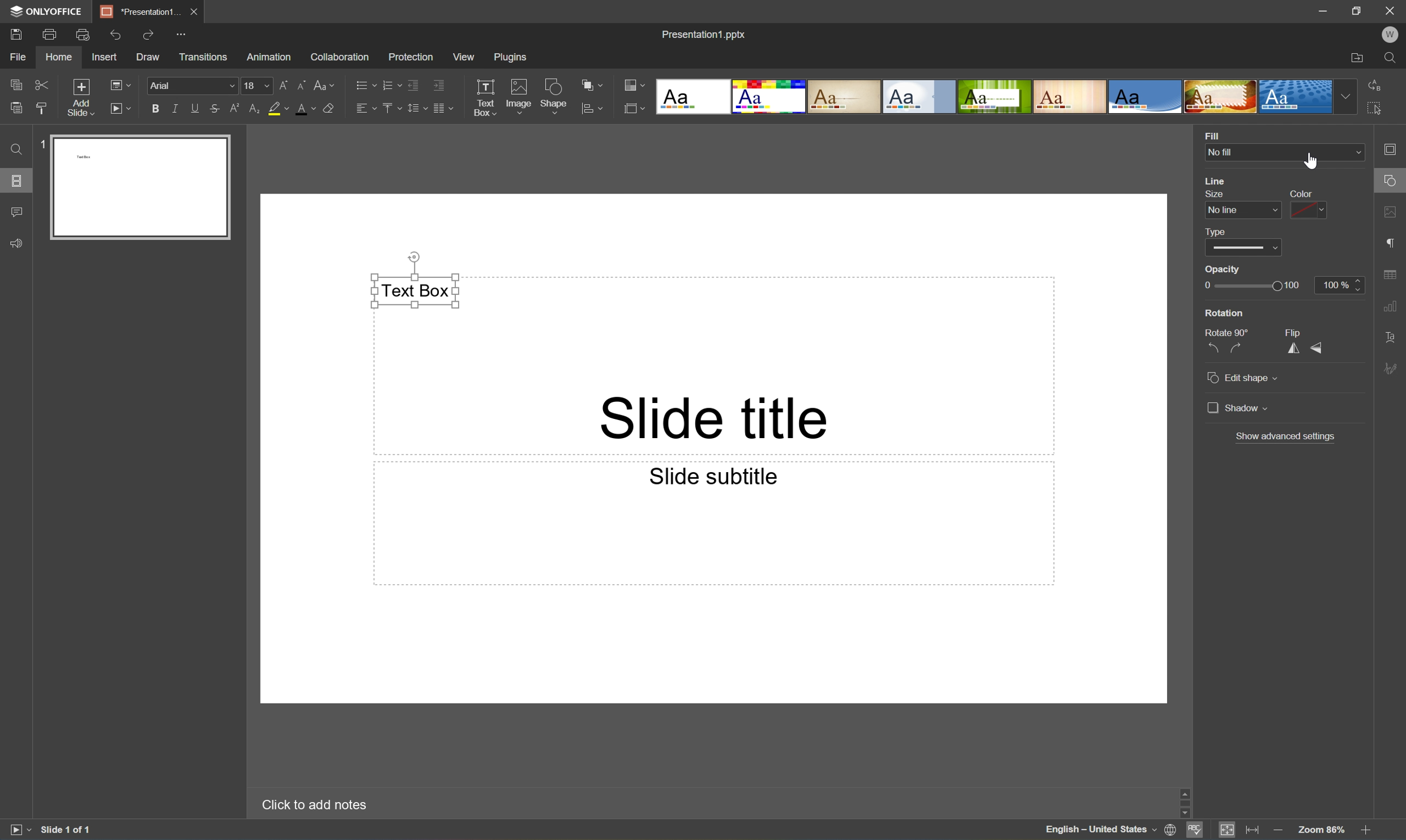  I want to click on Cut, so click(43, 84).